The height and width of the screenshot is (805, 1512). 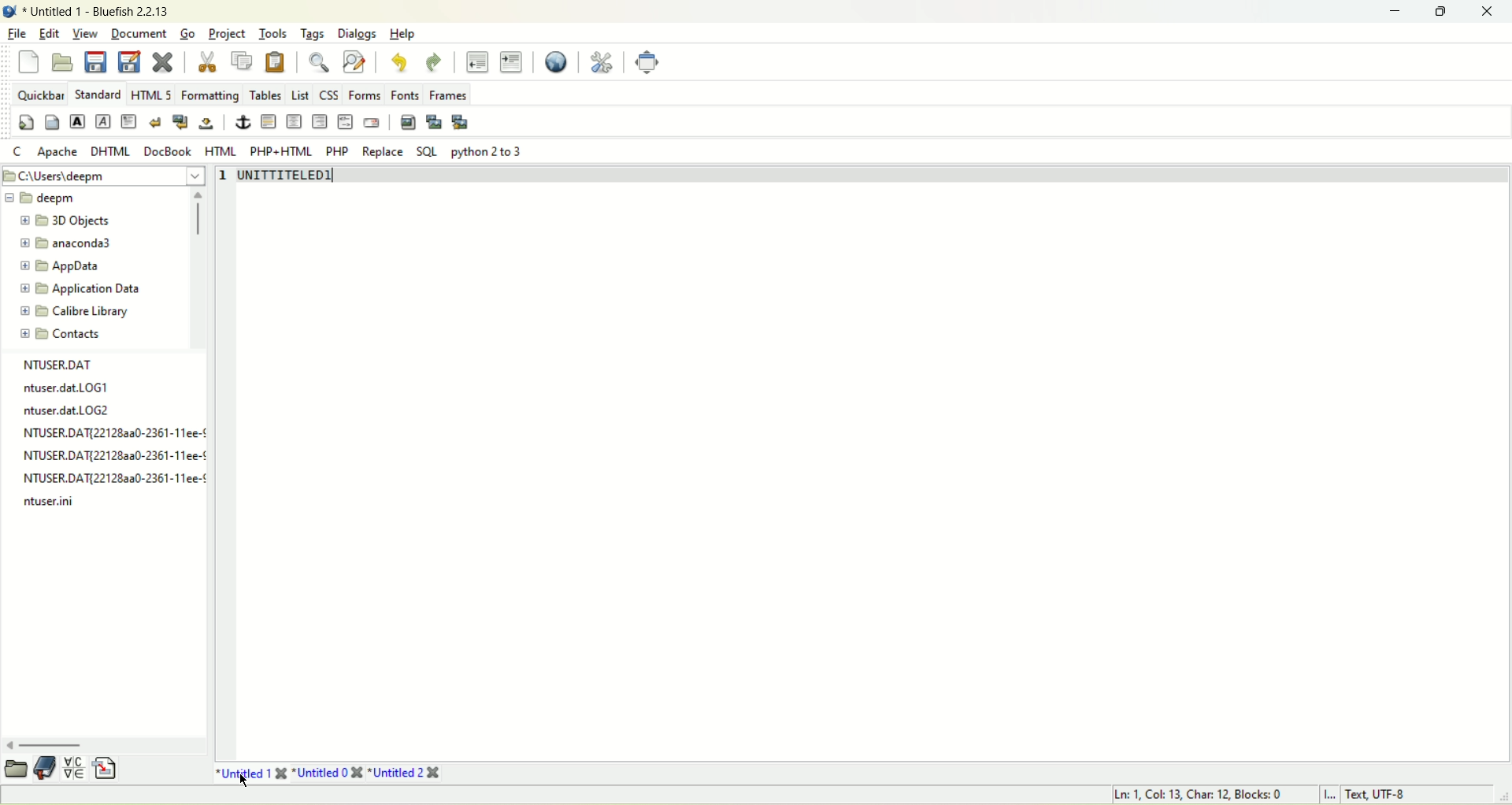 What do you see at coordinates (511, 60) in the screenshot?
I see `indent ` at bounding box center [511, 60].